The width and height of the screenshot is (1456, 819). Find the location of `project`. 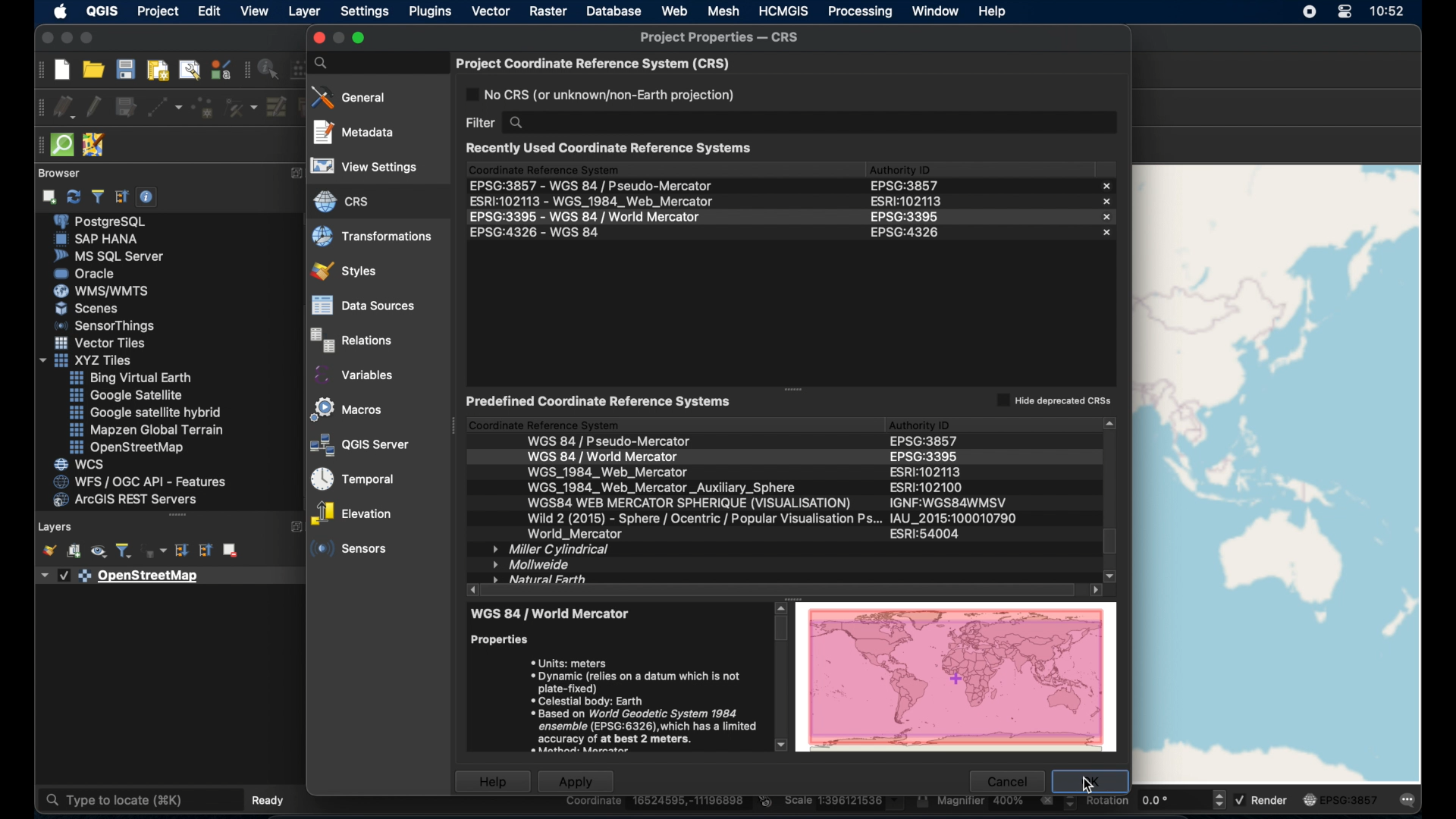

project is located at coordinates (156, 11).